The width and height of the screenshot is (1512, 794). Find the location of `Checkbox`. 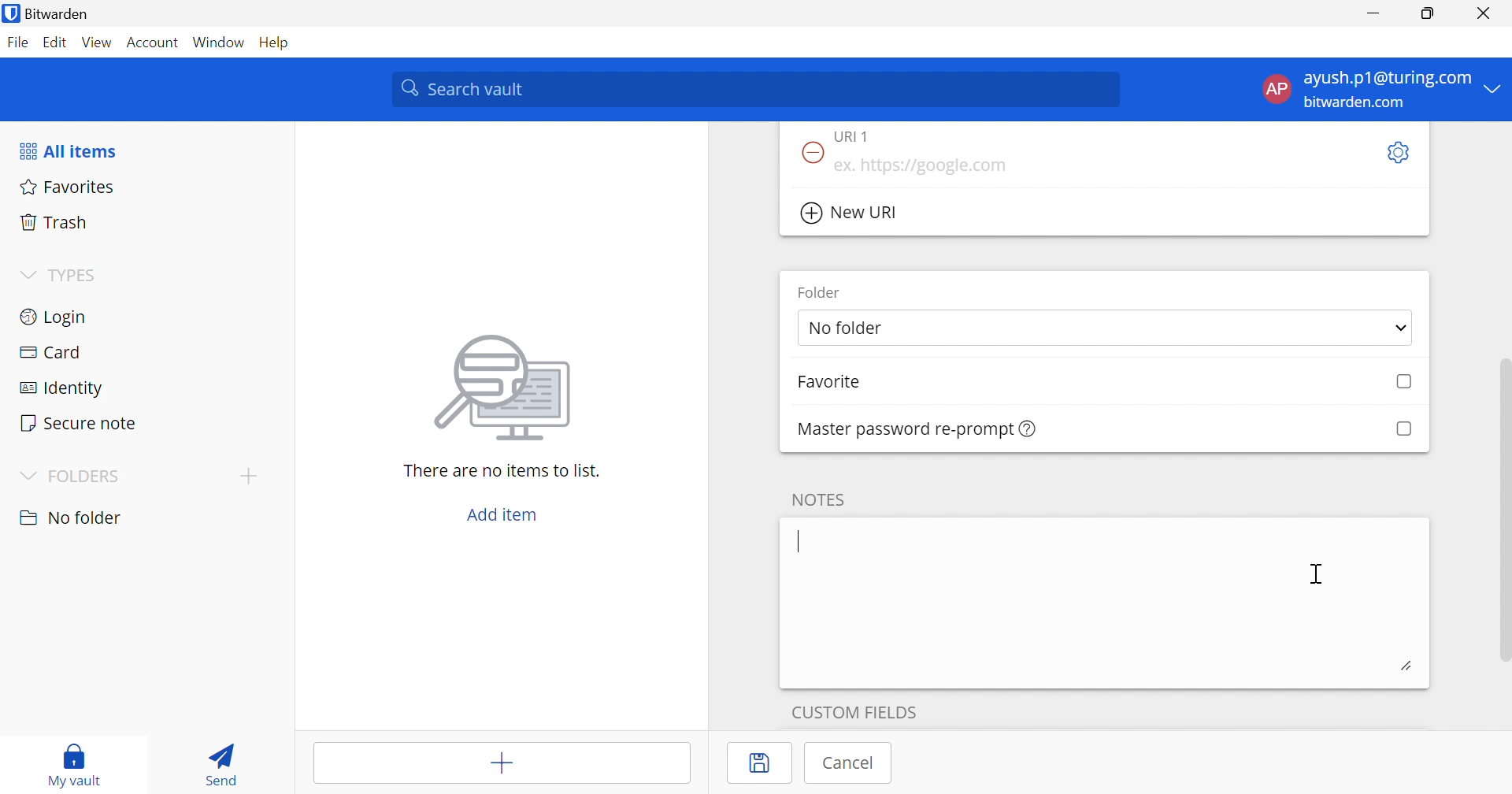

Checkbox is located at coordinates (1403, 429).